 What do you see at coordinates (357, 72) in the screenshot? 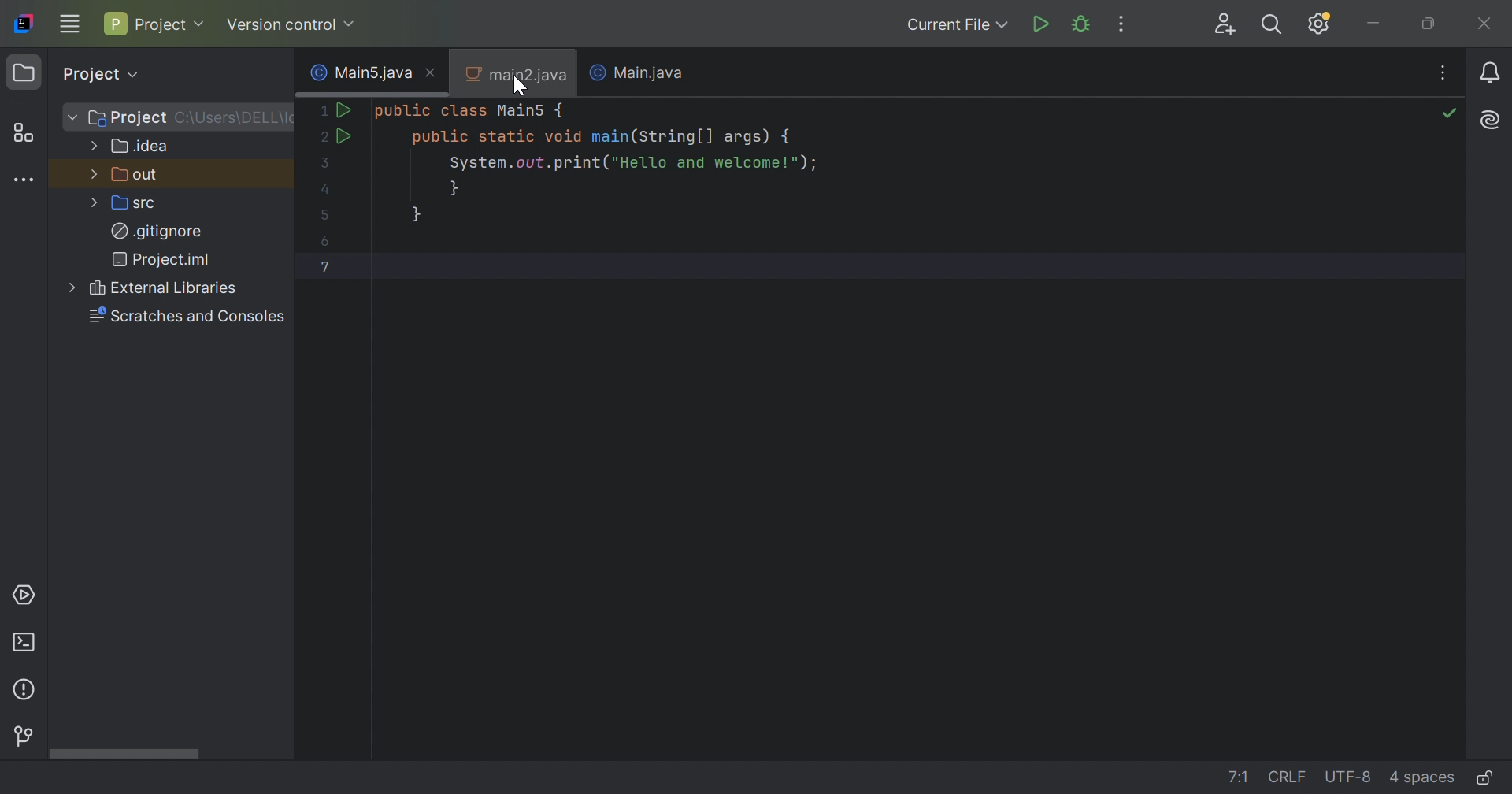
I see `Main5.java` at bounding box center [357, 72].